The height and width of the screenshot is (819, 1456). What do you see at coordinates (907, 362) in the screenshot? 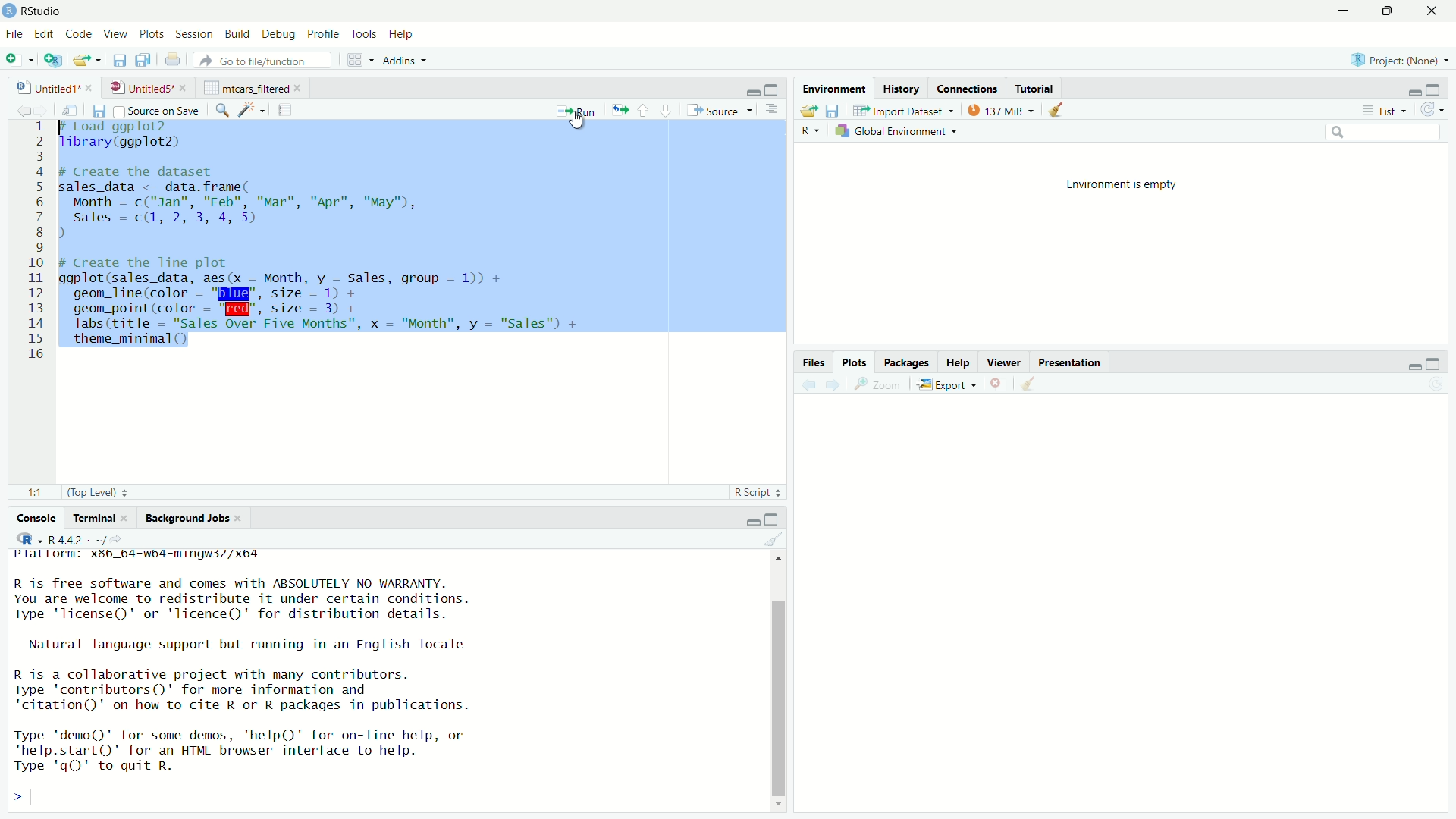
I see `Packages` at bounding box center [907, 362].